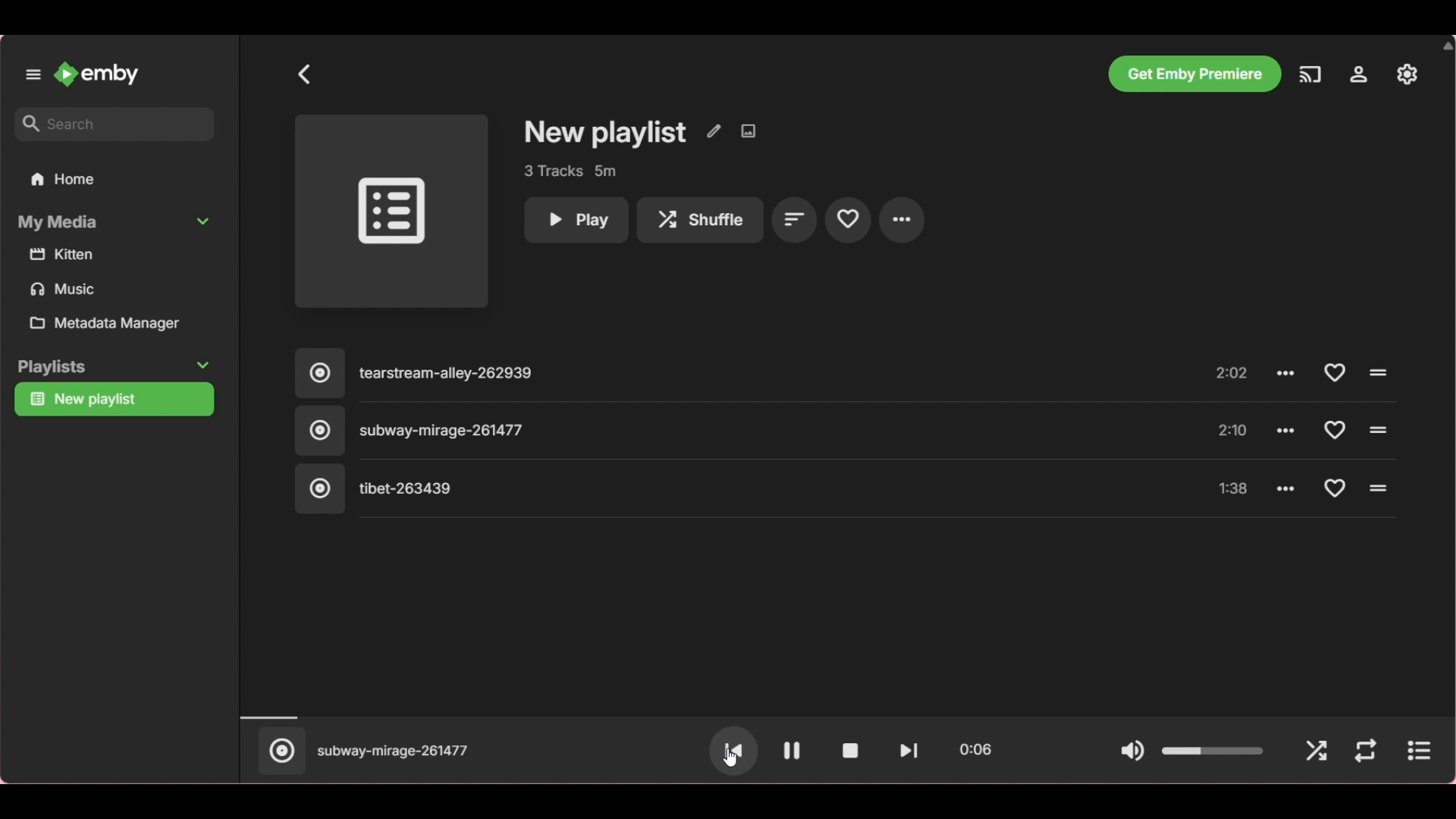  What do you see at coordinates (115, 178) in the screenshot?
I see `Go to home` at bounding box center [115, 178].